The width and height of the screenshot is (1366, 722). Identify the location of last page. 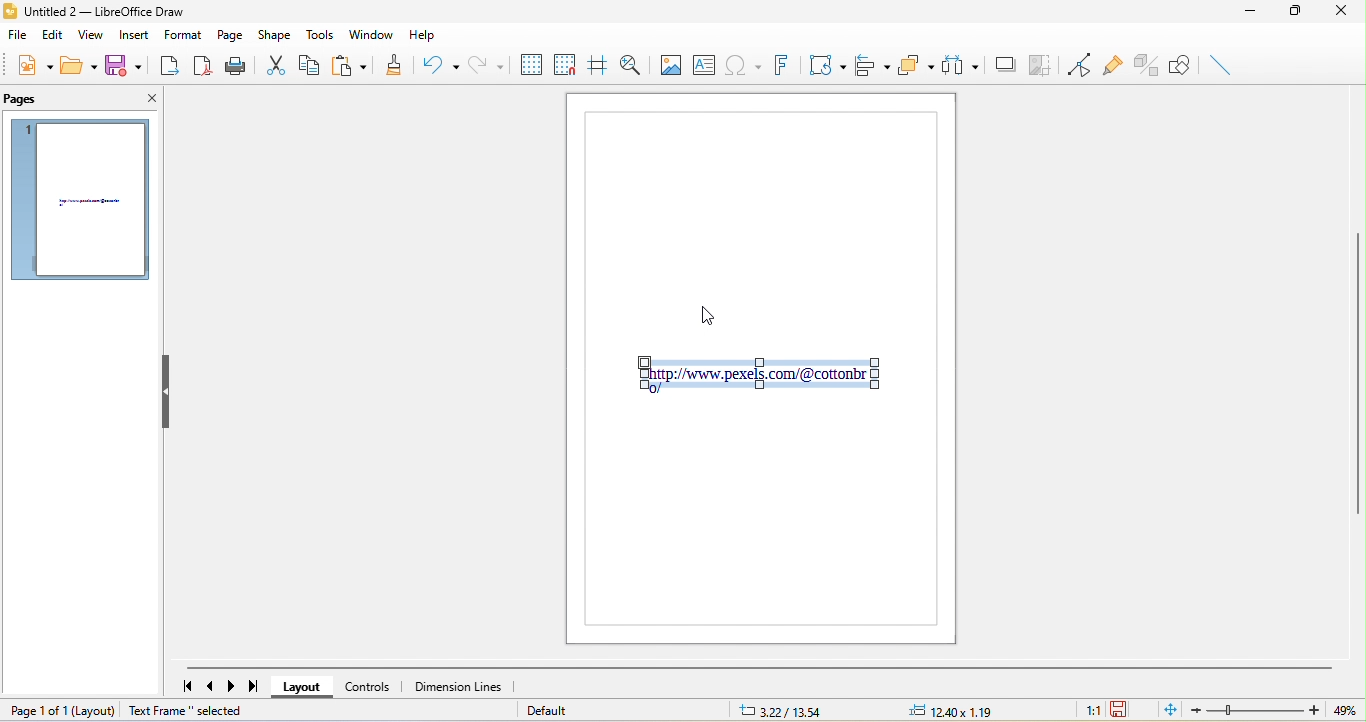
(256, 688).